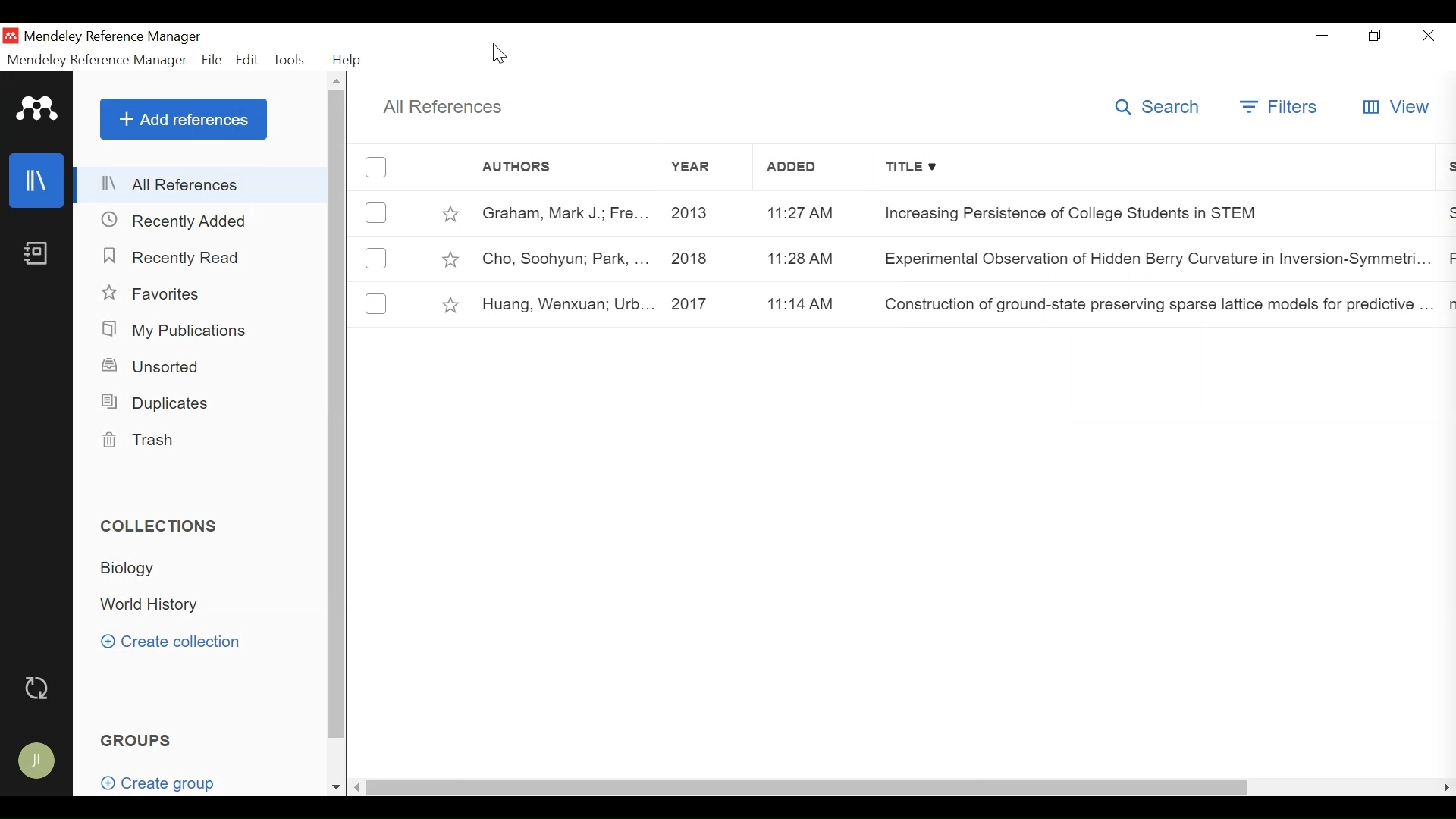  What do you see at coordinates (334, 788) in the screenshot?
I see `Scroll down` at bounding box center [334, 788].